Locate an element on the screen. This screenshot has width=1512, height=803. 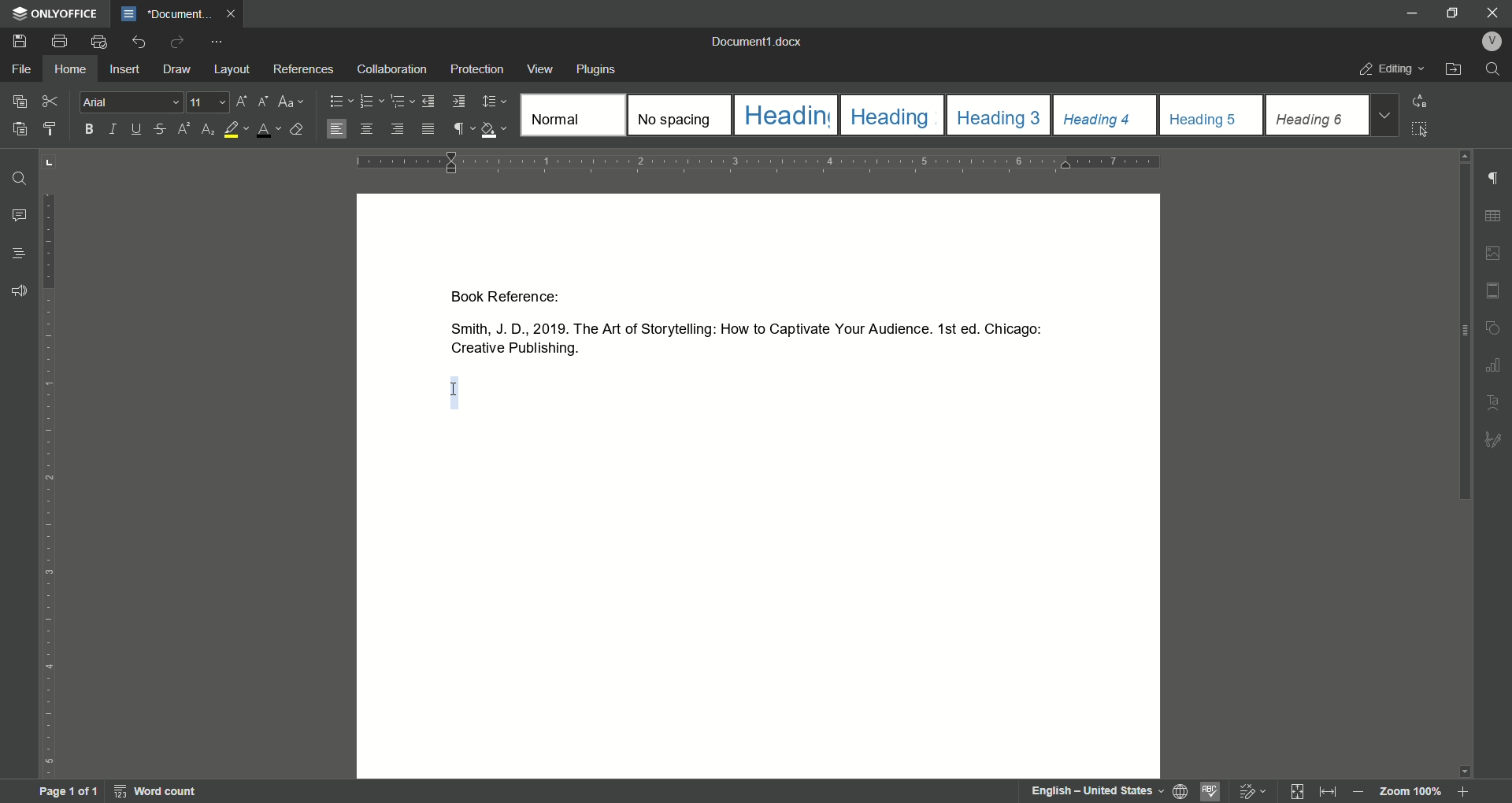
paste is located at coordinates (21, 128).